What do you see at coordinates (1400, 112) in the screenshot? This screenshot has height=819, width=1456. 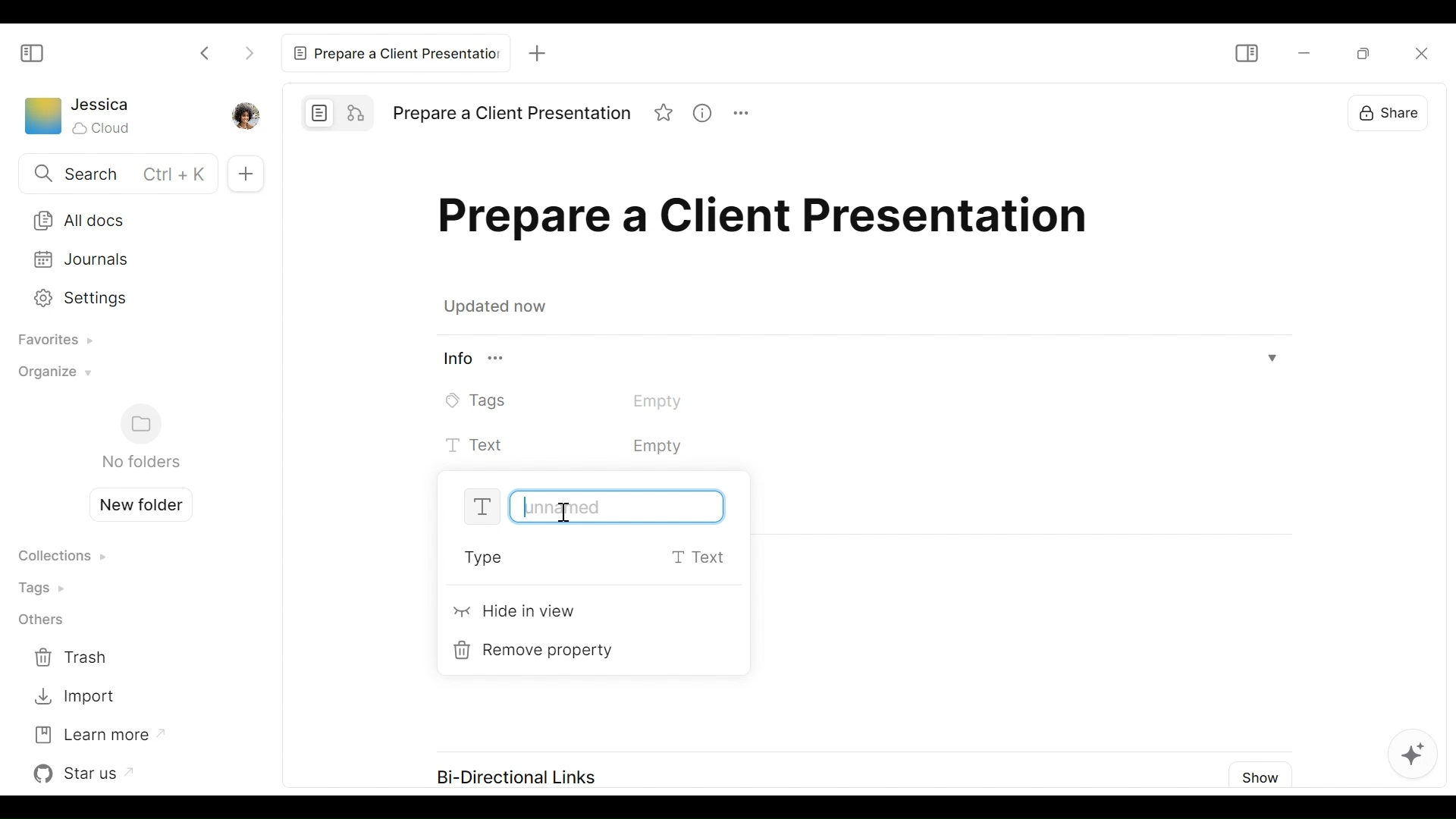 I see `Share` at bounding box center [1400, 112].